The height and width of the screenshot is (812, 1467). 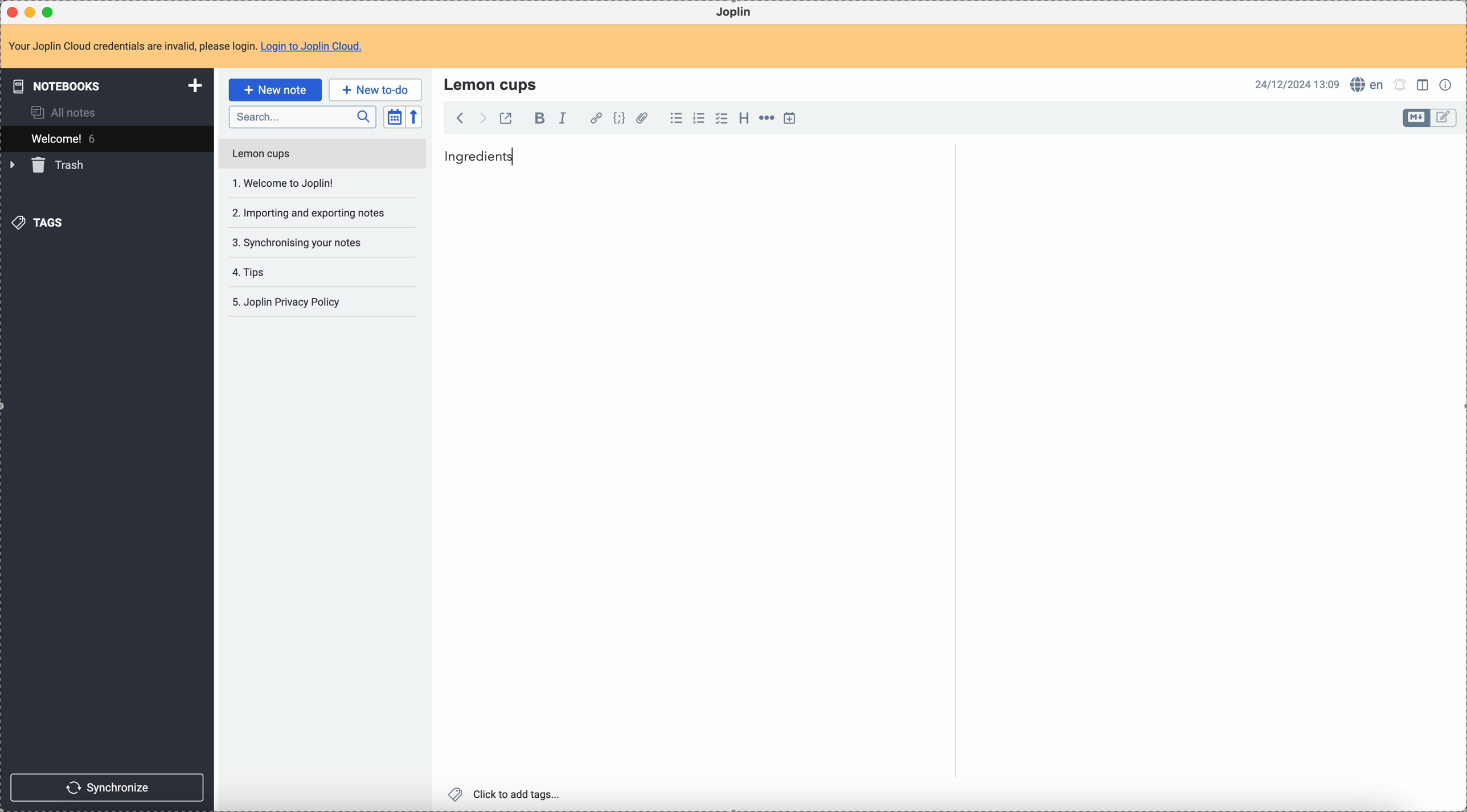 What do you see at coordinates (1417, 118) in the screenshot?
I see `toggle edit layout` at bounding box center [1417, 118].